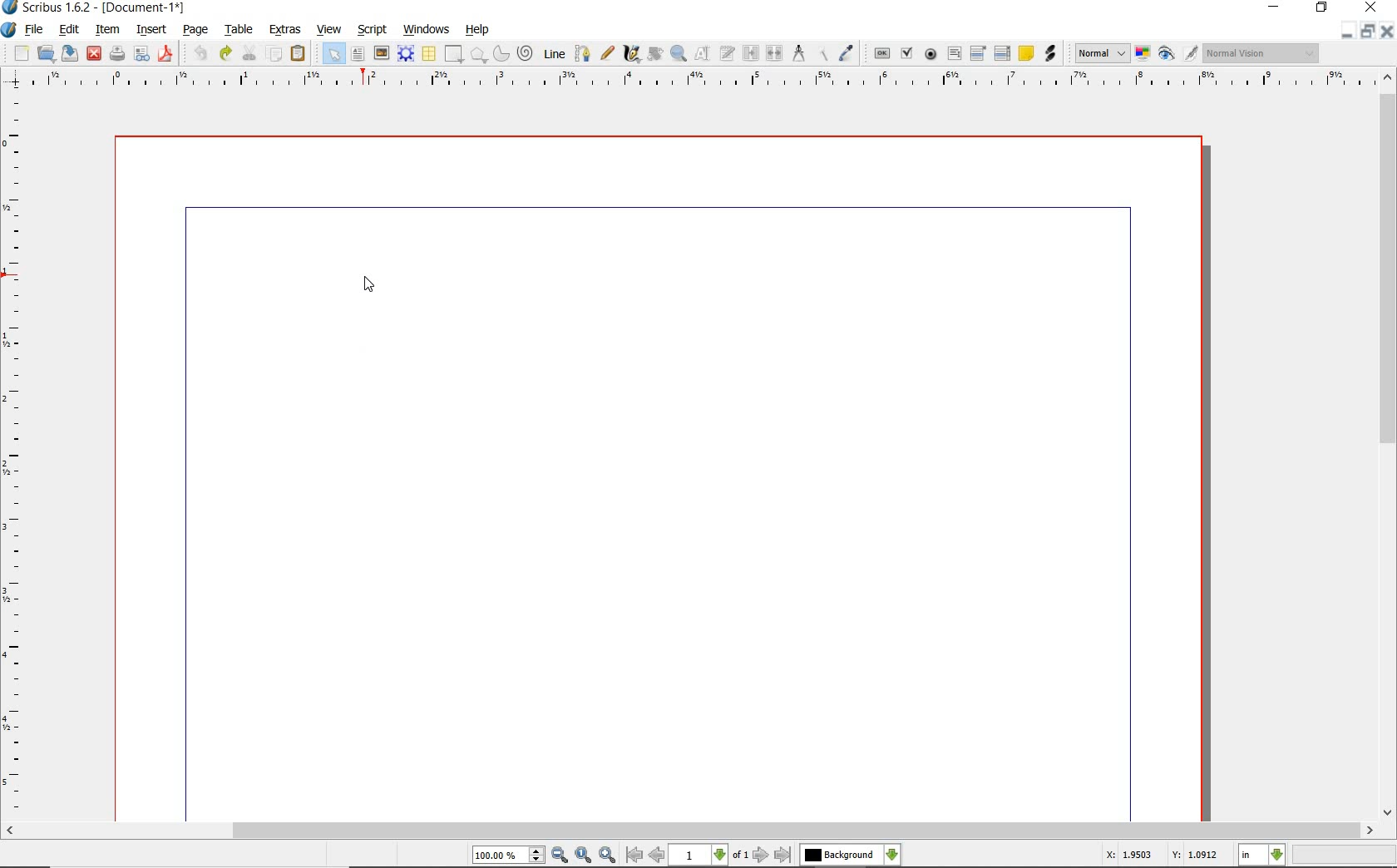 This screenshot has height=868, width=1397. I want to click on shape, so click(479, 56).